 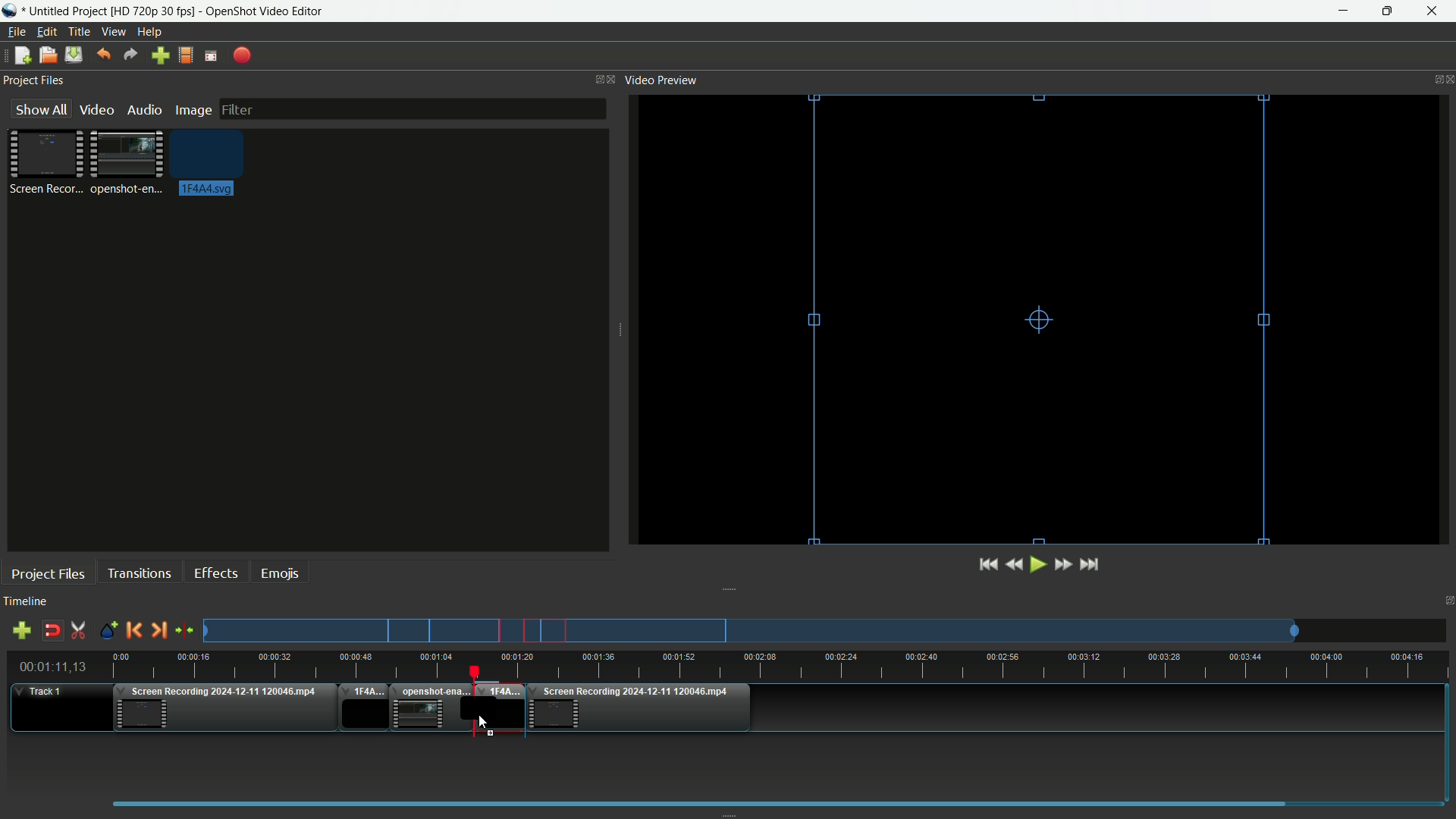 I want to click on Export, so click(x=243, y=56).